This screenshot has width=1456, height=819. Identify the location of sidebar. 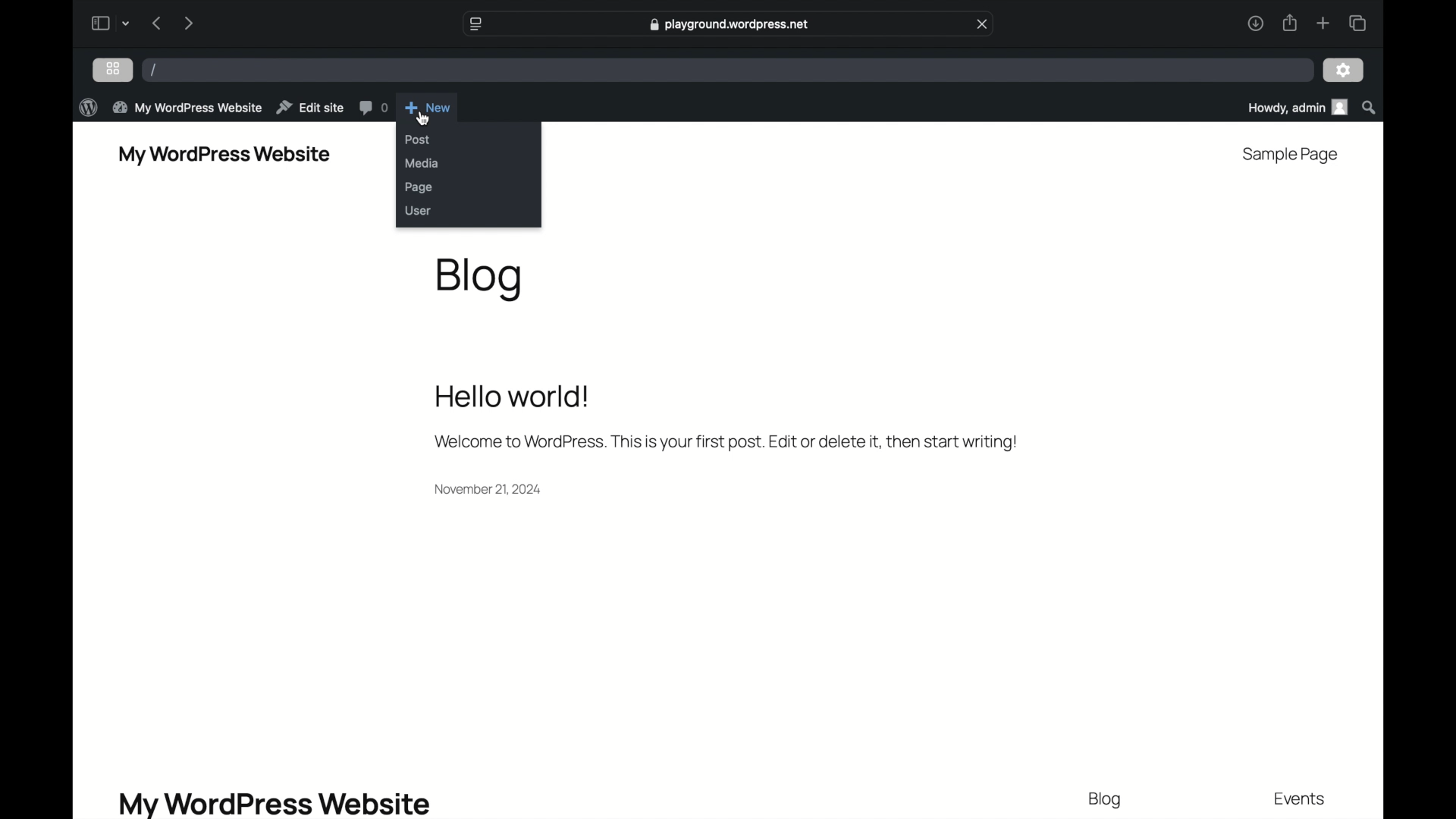
(99, 23).